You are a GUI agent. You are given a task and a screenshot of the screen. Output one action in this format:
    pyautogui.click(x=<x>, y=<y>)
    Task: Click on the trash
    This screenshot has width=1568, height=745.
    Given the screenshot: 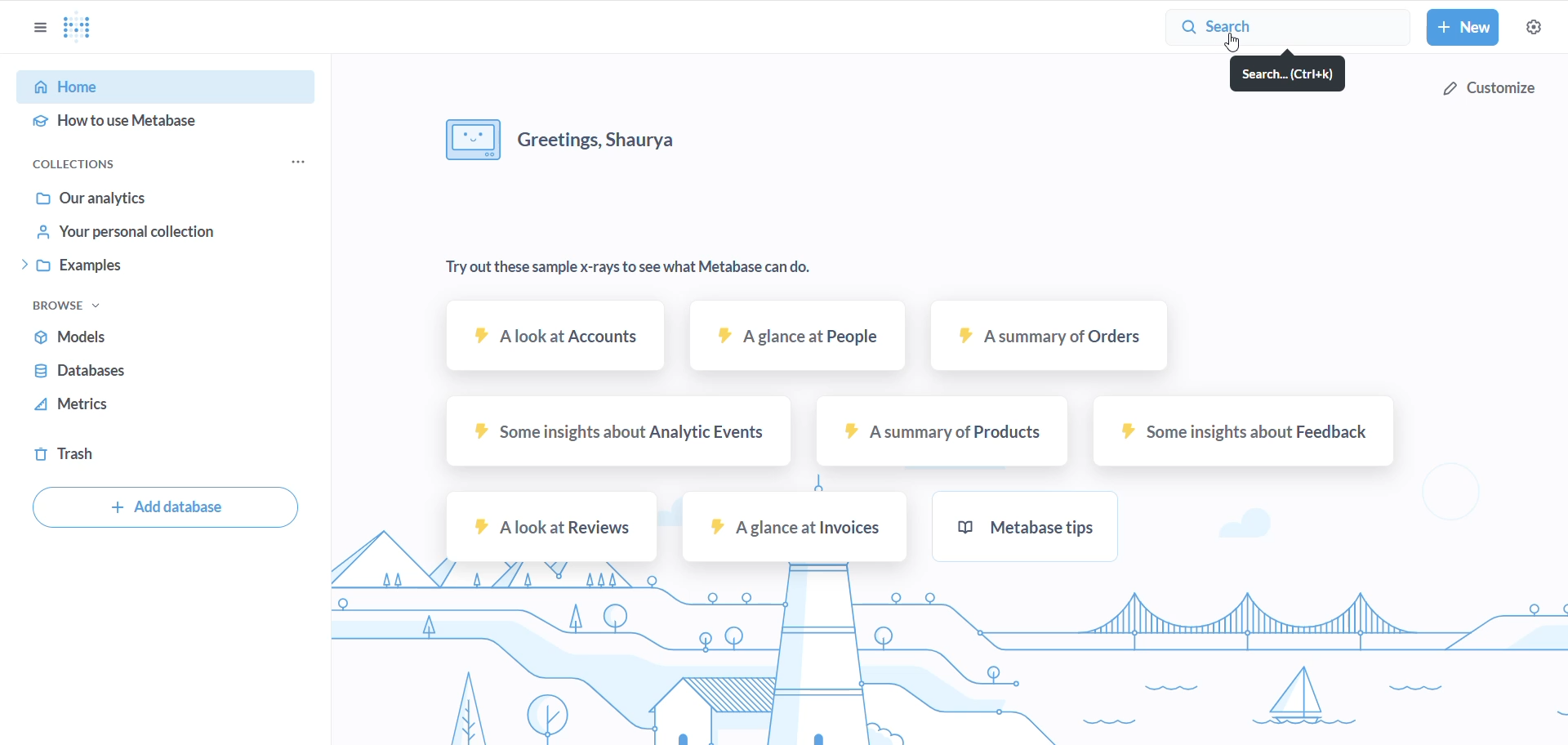 What is the action you would take?
    pyautogui.click(x=82, y=449)
    